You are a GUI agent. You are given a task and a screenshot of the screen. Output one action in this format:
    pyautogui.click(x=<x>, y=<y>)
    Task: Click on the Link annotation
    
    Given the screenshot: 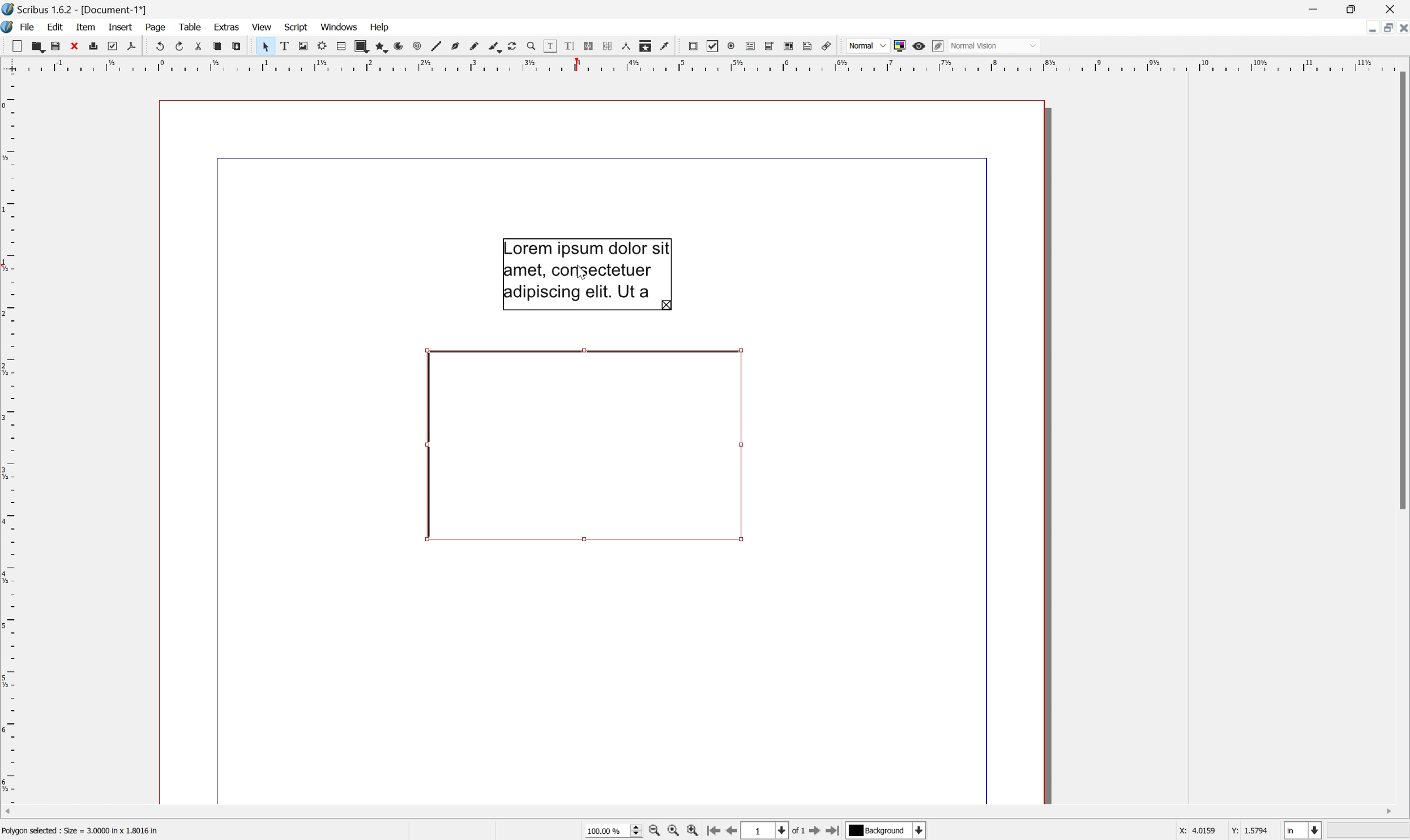 What is the action you would take?
    pyautogui.click(x=830, y=47)
    